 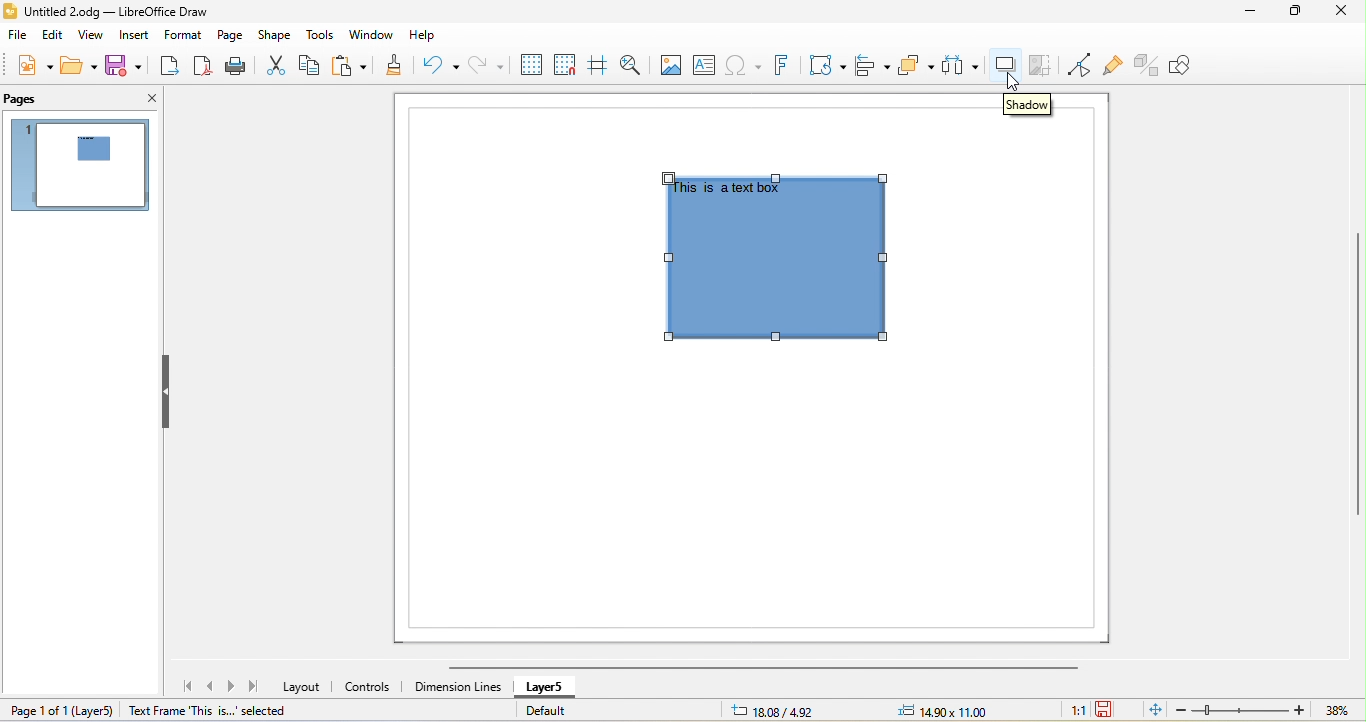 I want to click on format, so click(x=181, y=37).